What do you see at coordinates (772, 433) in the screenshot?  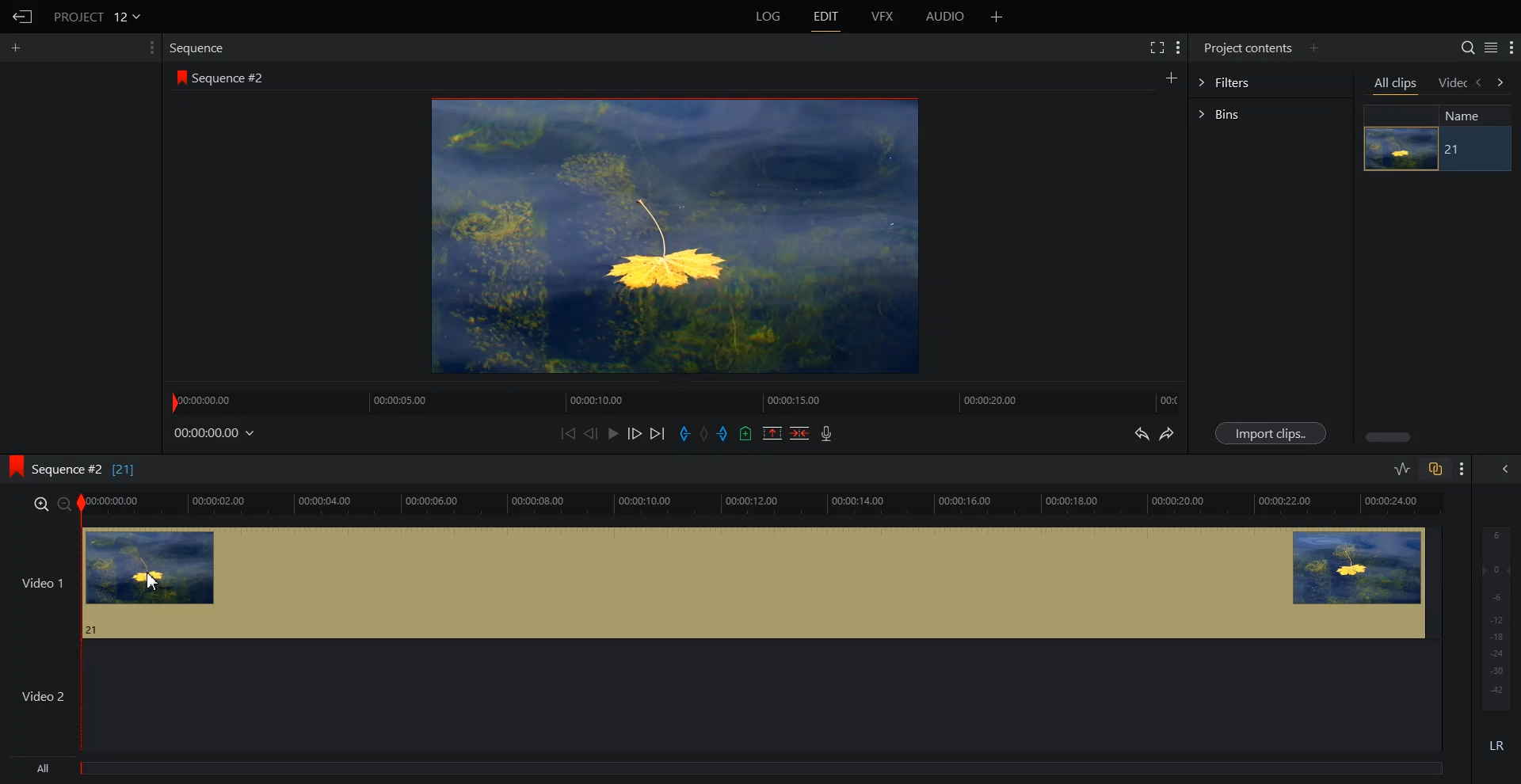 I see `Remove the marked section` at bounding box center [772, 433].